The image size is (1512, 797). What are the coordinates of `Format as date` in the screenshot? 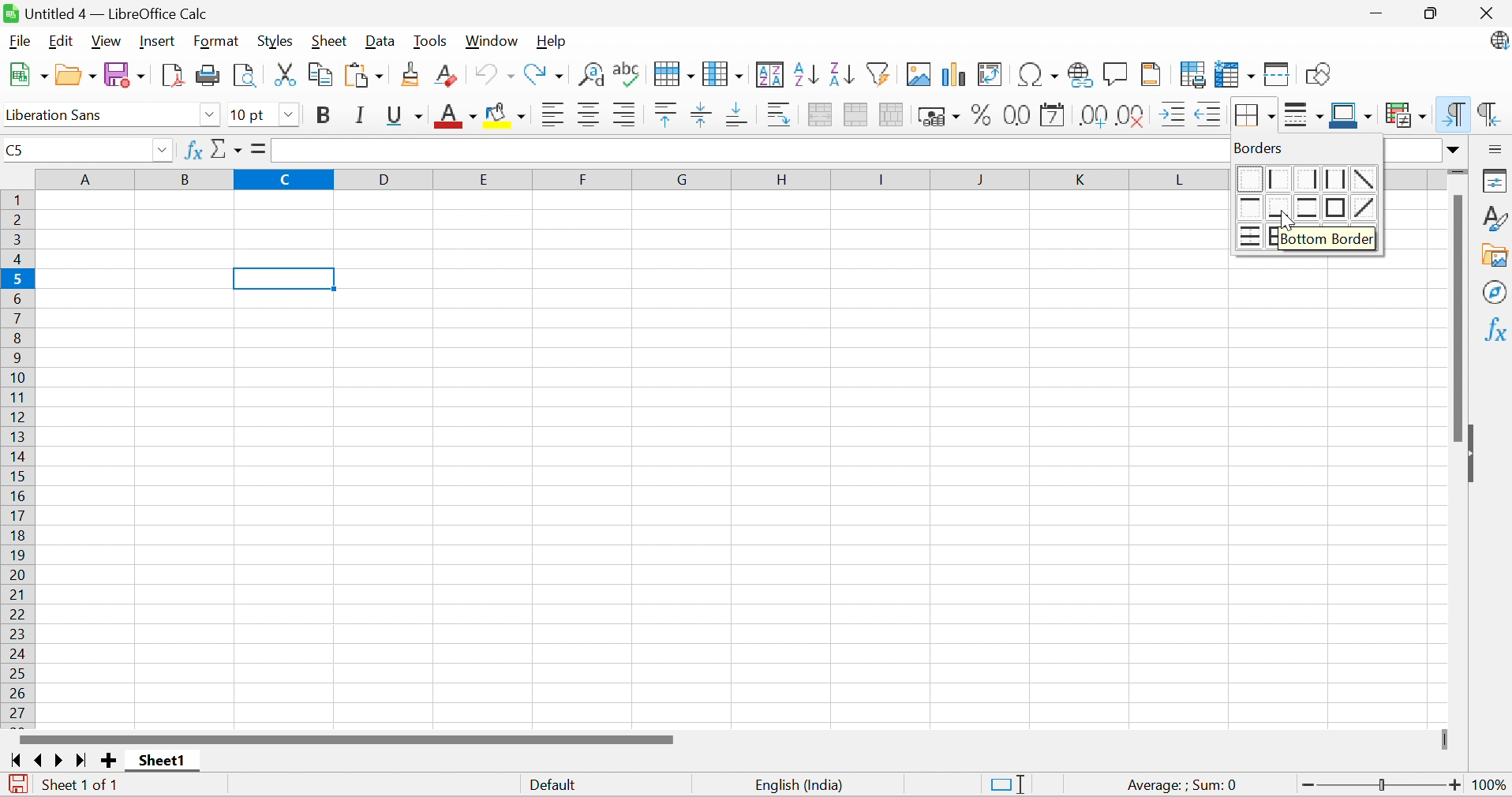 It's located at (1053, 118).